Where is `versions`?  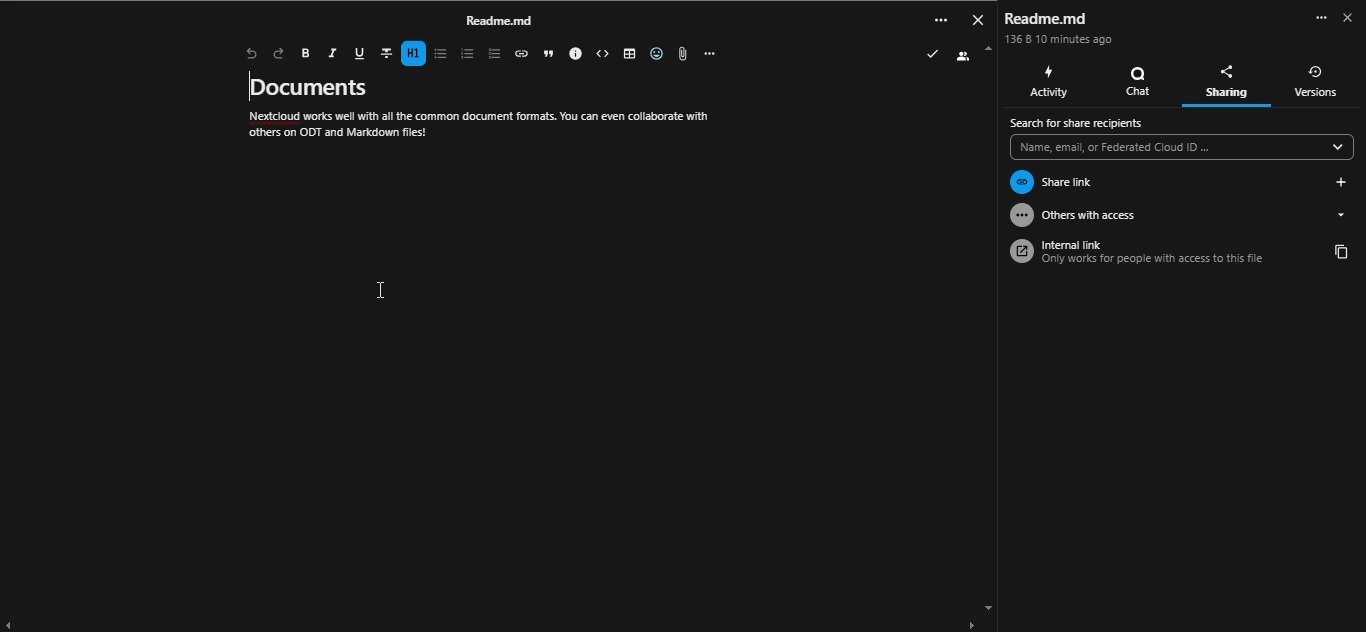 versions is located at coordinates (1316, 79).